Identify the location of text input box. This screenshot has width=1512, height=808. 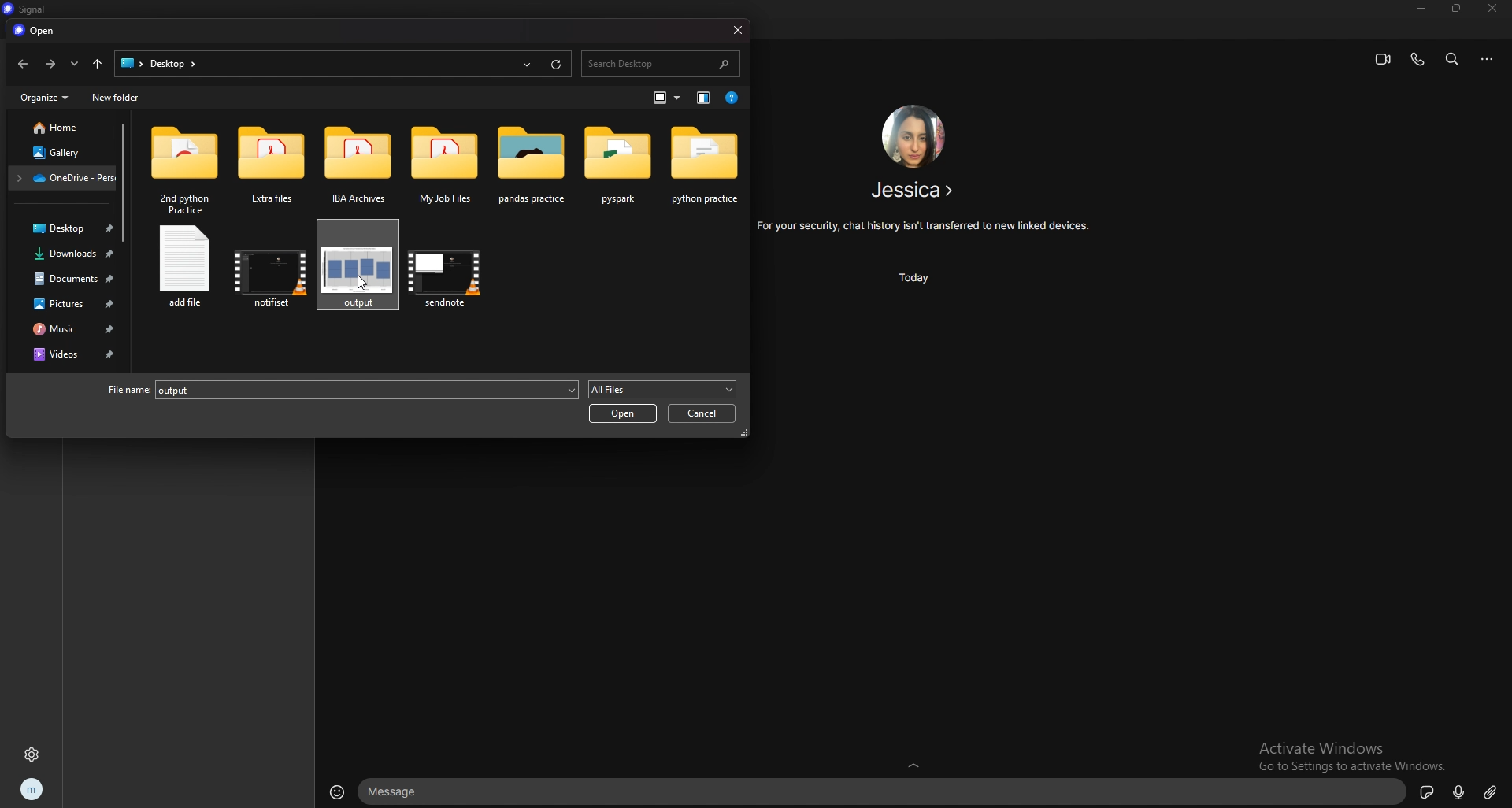
(880, 791).